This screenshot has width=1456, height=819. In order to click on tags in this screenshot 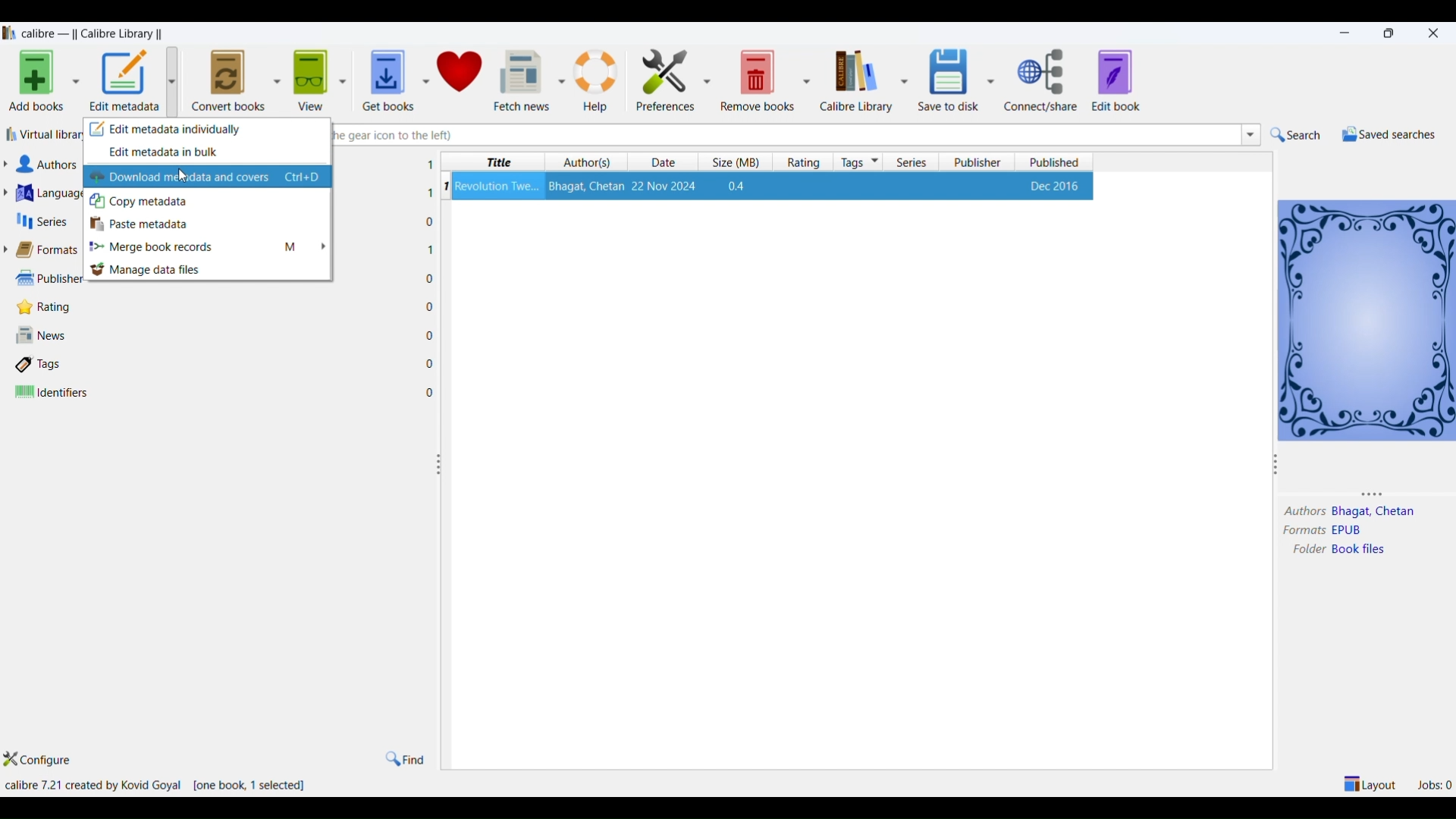, I will do `click(859, 162)`.